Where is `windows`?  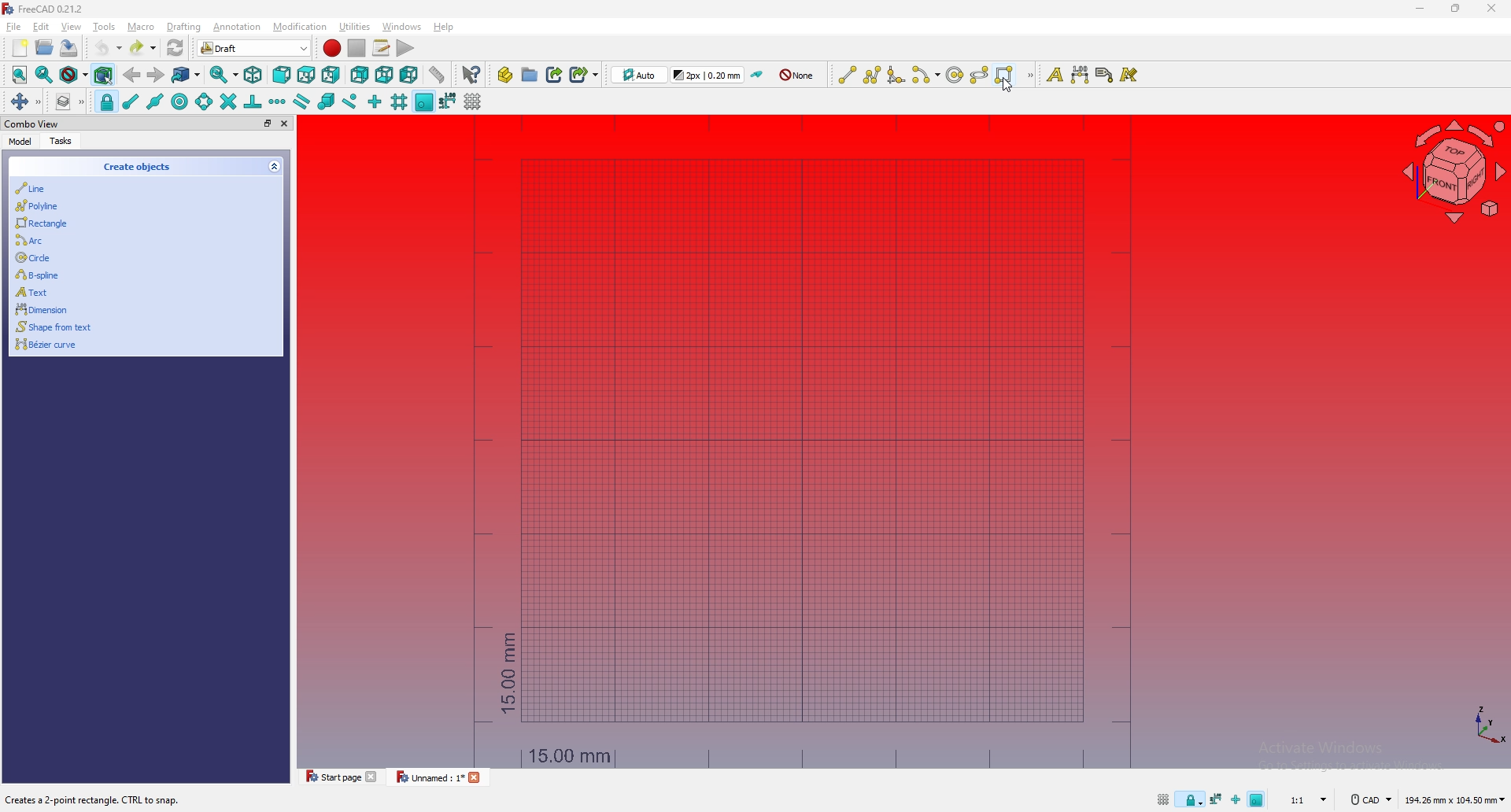 windows is located at coordinates (401, 27).